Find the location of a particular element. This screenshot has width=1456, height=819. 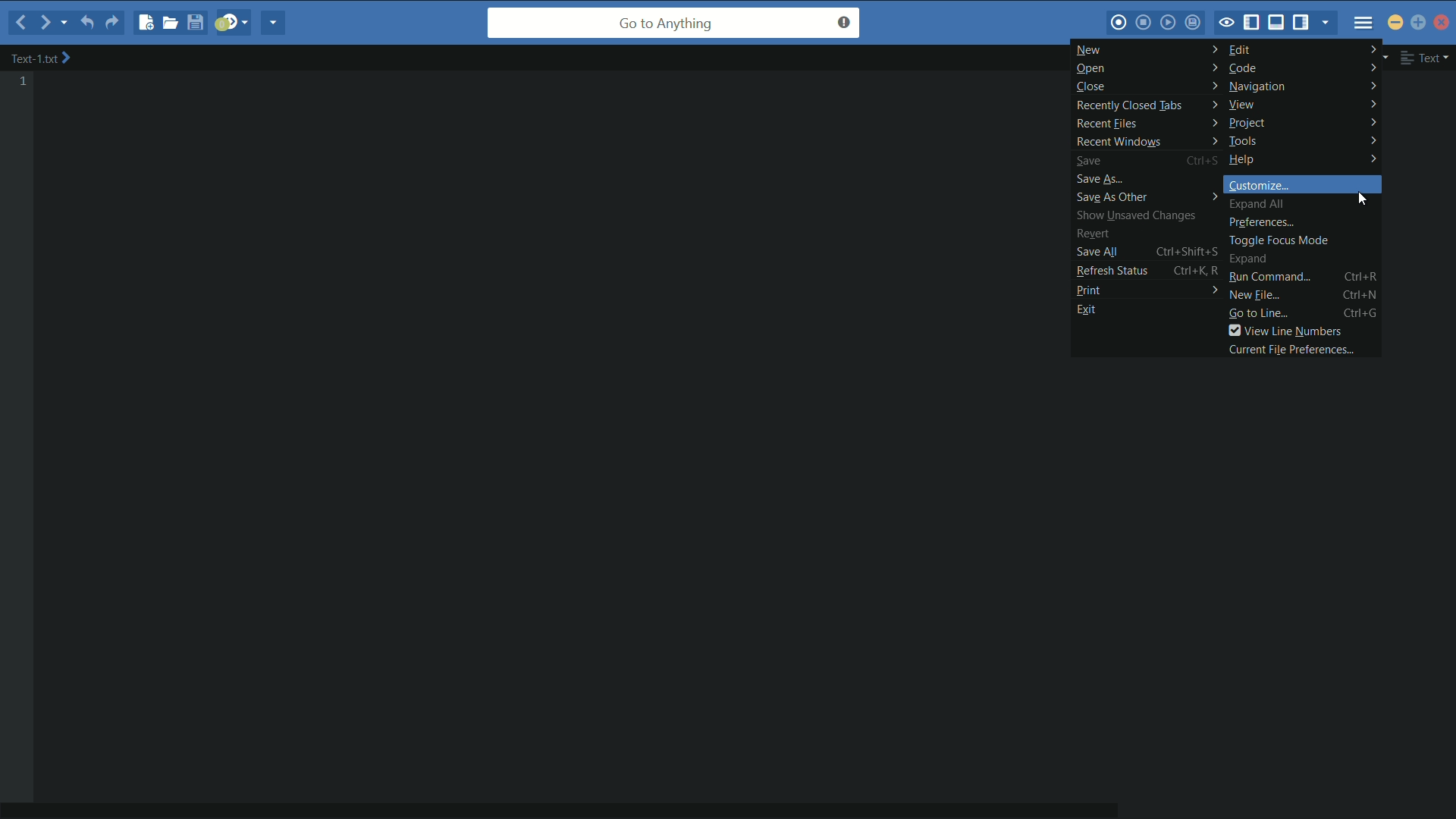

save is located at coordinates (1088, 161).